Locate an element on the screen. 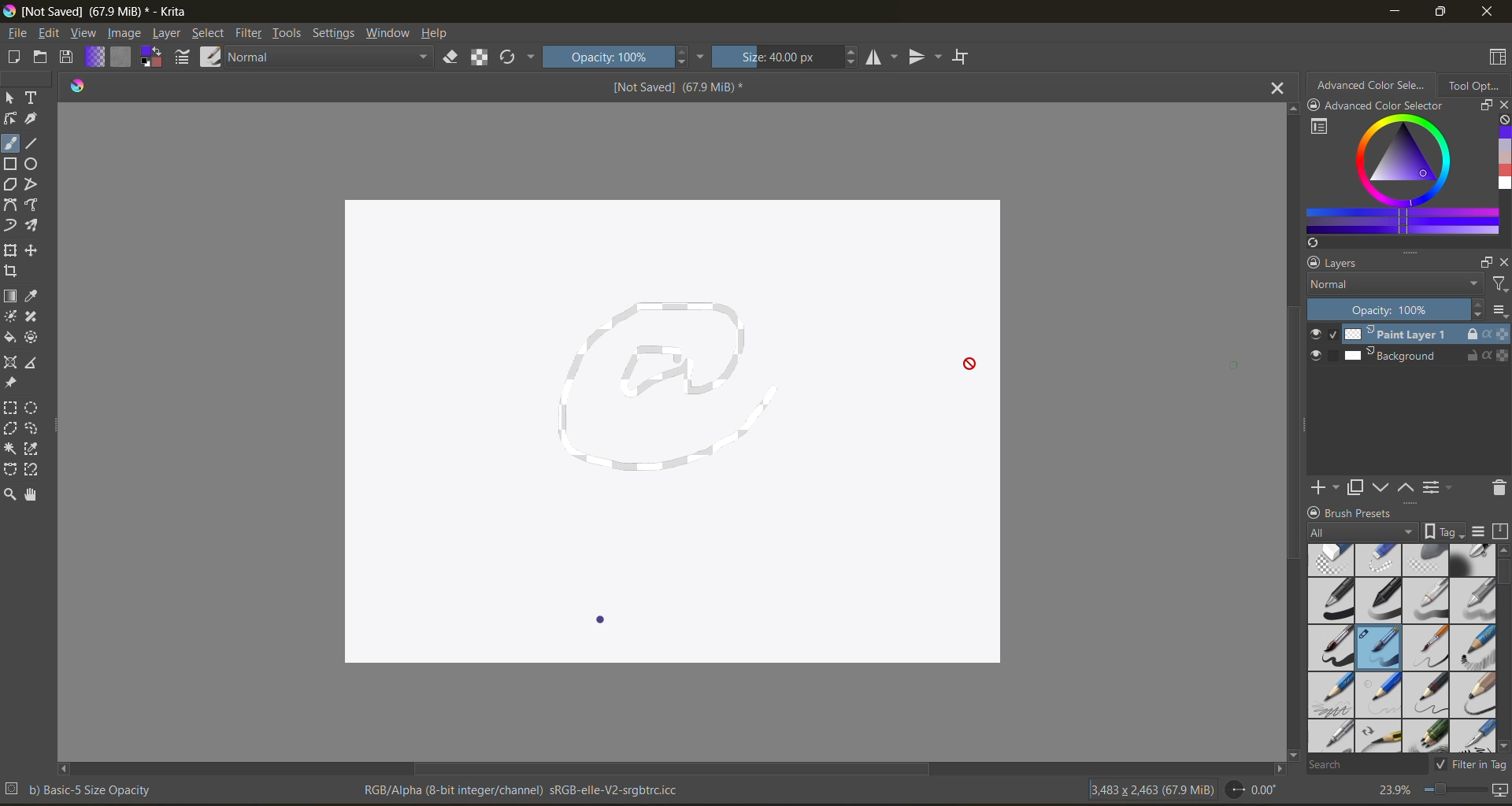 This screenshot has width=1512, height=806. logo is located at coordinates (80, 84).